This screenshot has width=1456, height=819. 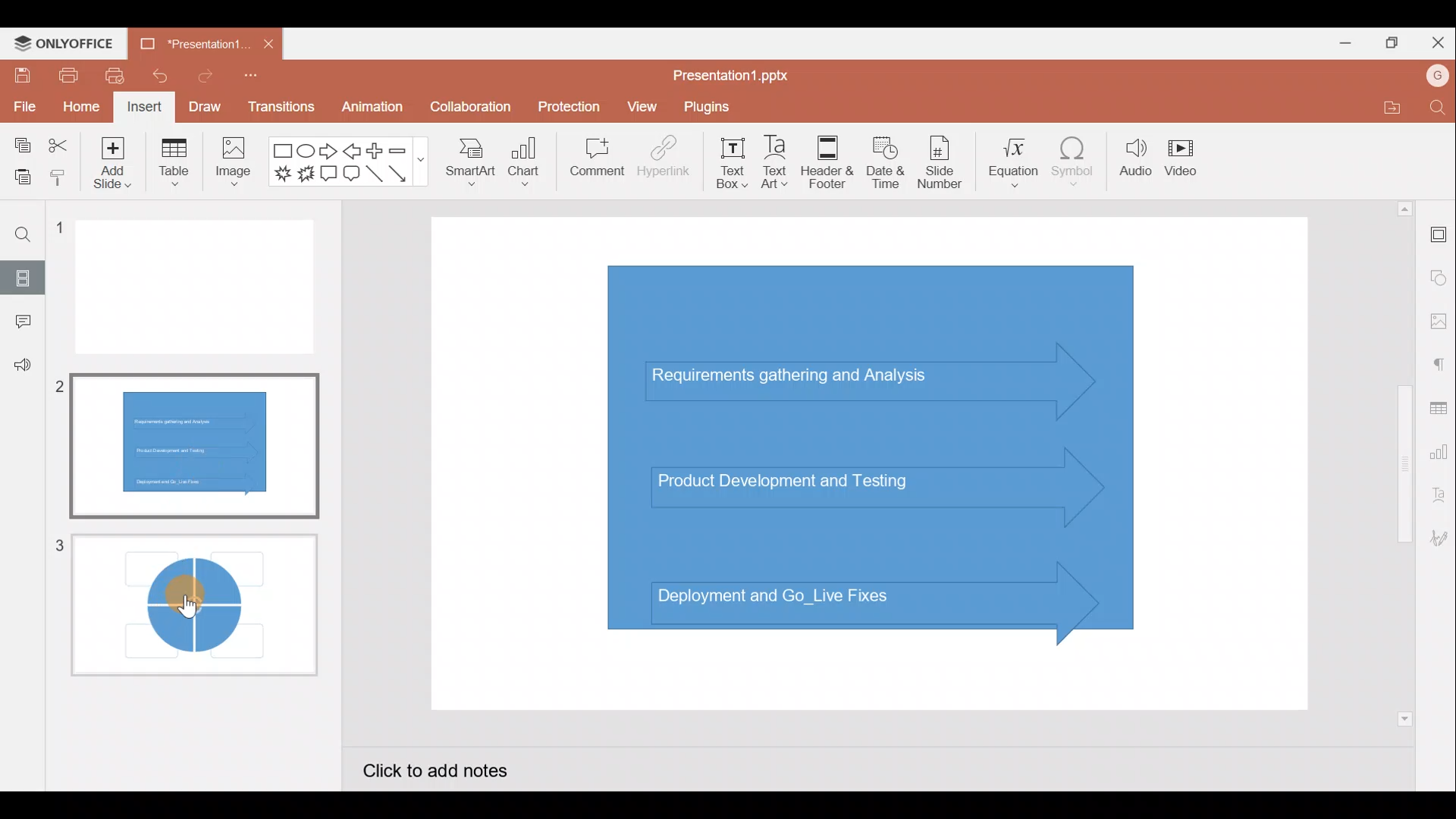 What do you see at coordinates (1074, 165) in the screenshot?
I see `Symbol` at bounding box center [1074, 165].